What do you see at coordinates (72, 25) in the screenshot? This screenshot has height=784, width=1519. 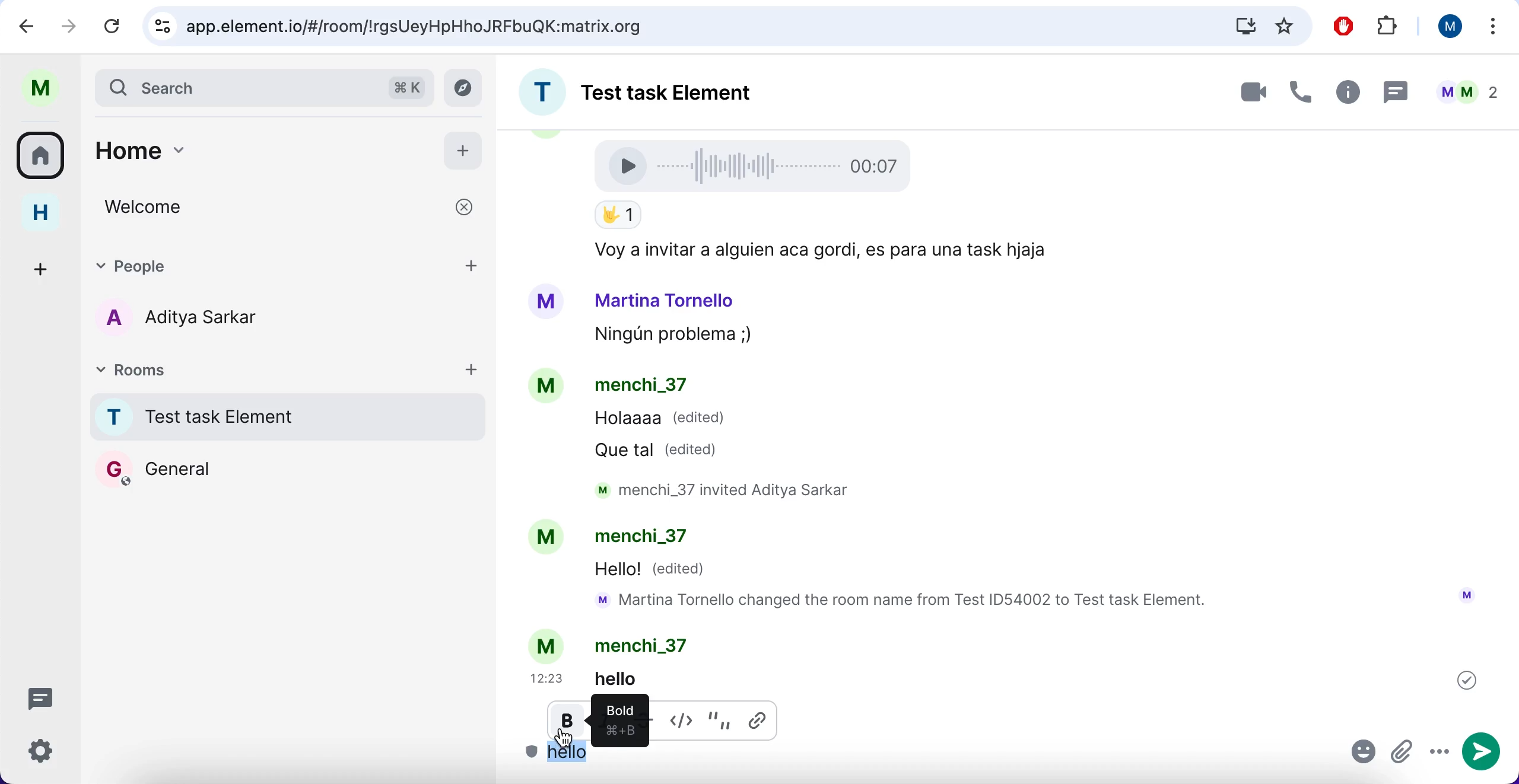 I see `go one page forward` at bounding box center [72, 25].